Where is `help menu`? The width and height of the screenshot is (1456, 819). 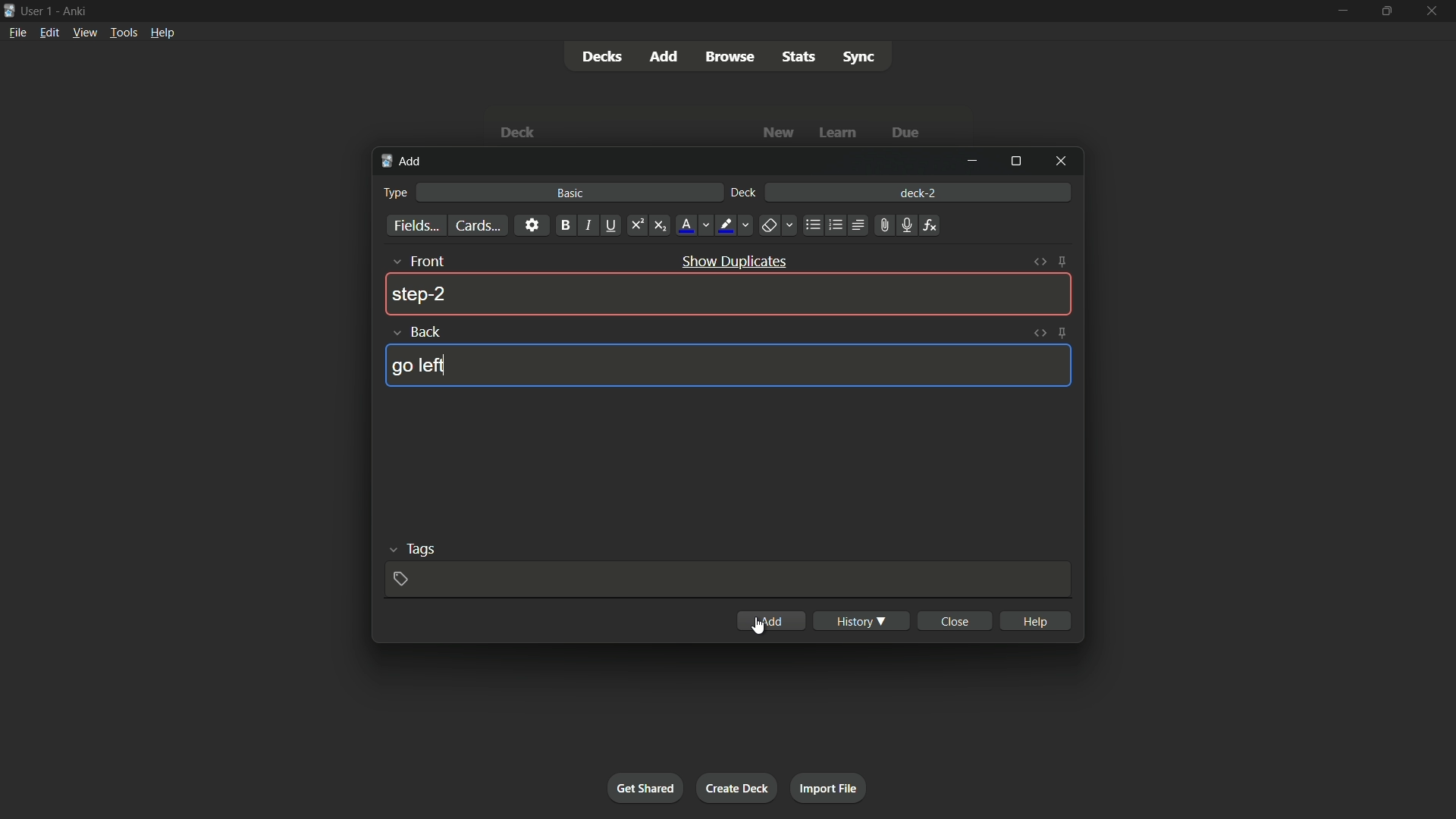
help menu is located at coordinates (163, 32).